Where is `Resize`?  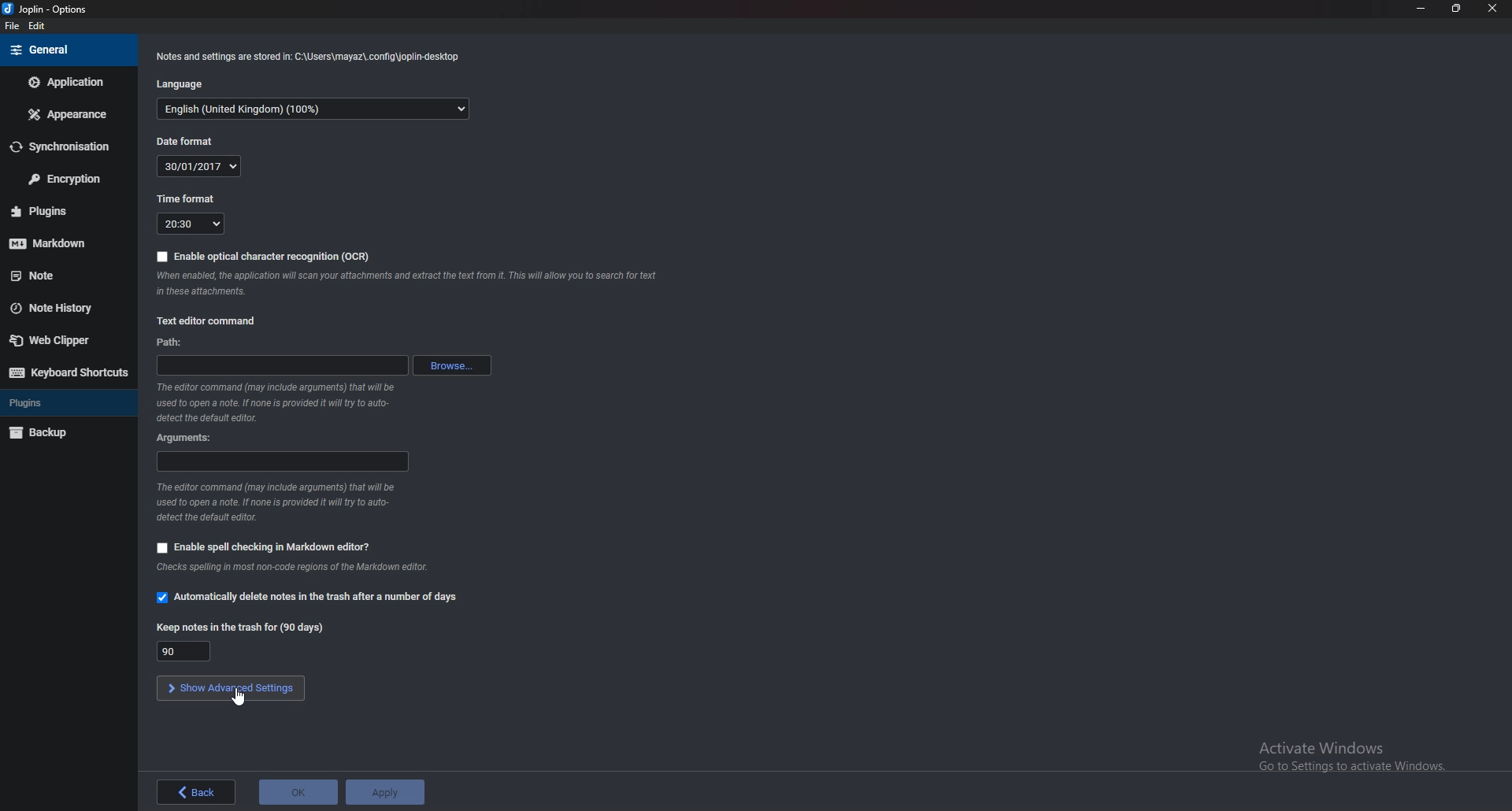 Resize is located at coordinates (1457, 9).